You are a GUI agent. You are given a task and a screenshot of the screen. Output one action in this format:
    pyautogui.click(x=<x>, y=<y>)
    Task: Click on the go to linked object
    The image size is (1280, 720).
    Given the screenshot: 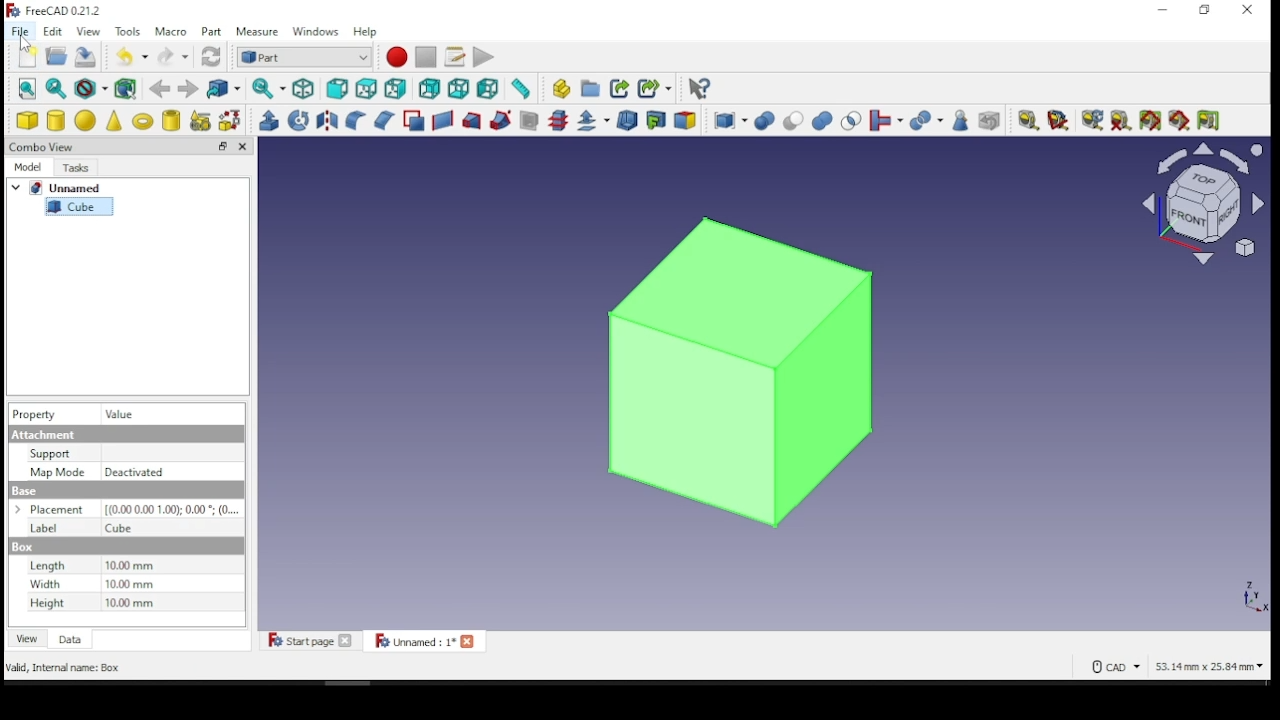 What is the action you would take?
    pyautogui.click(x=222, y=88)
    